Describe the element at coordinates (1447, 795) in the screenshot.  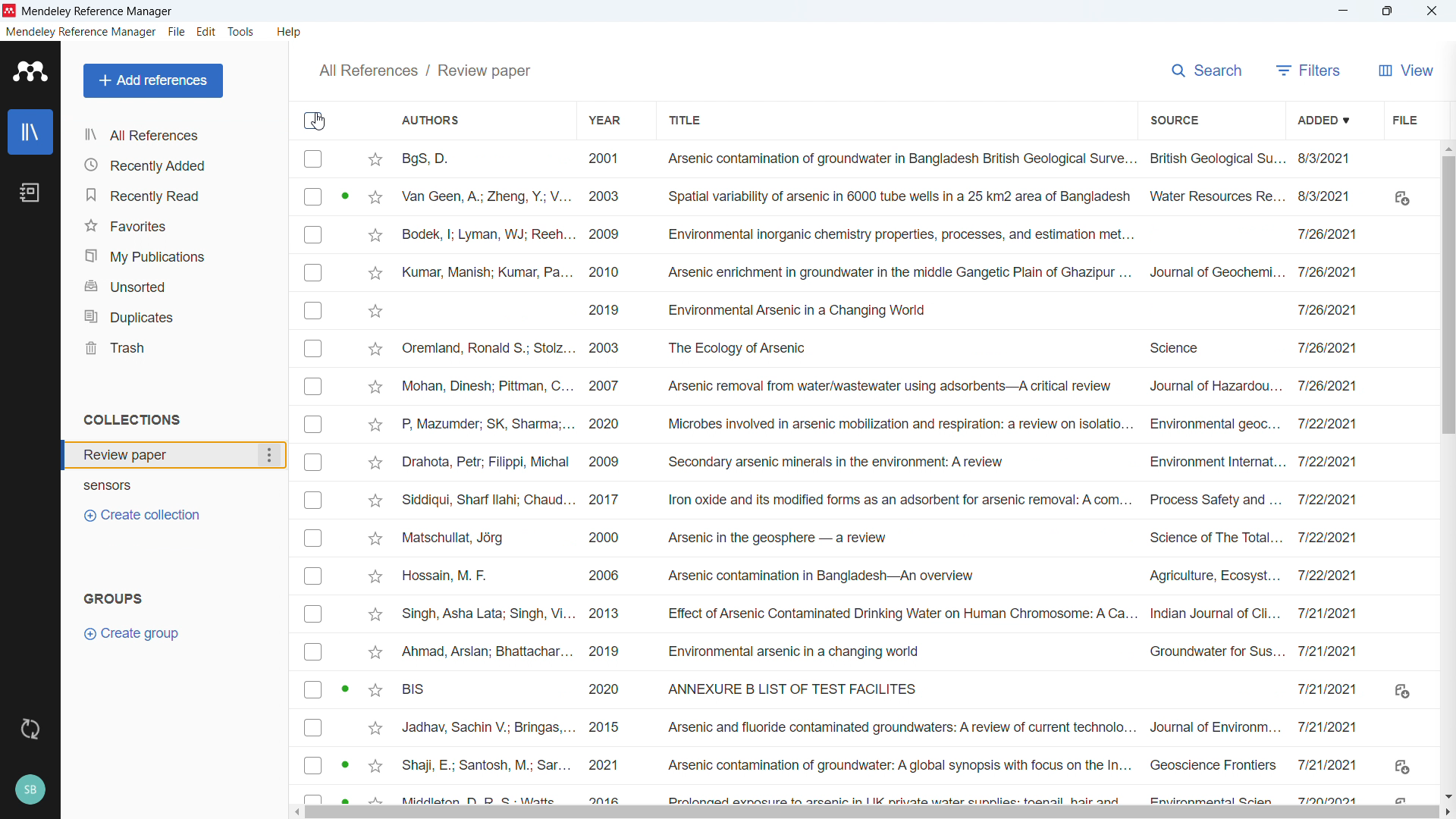
I see `Scroll down ` at that location.